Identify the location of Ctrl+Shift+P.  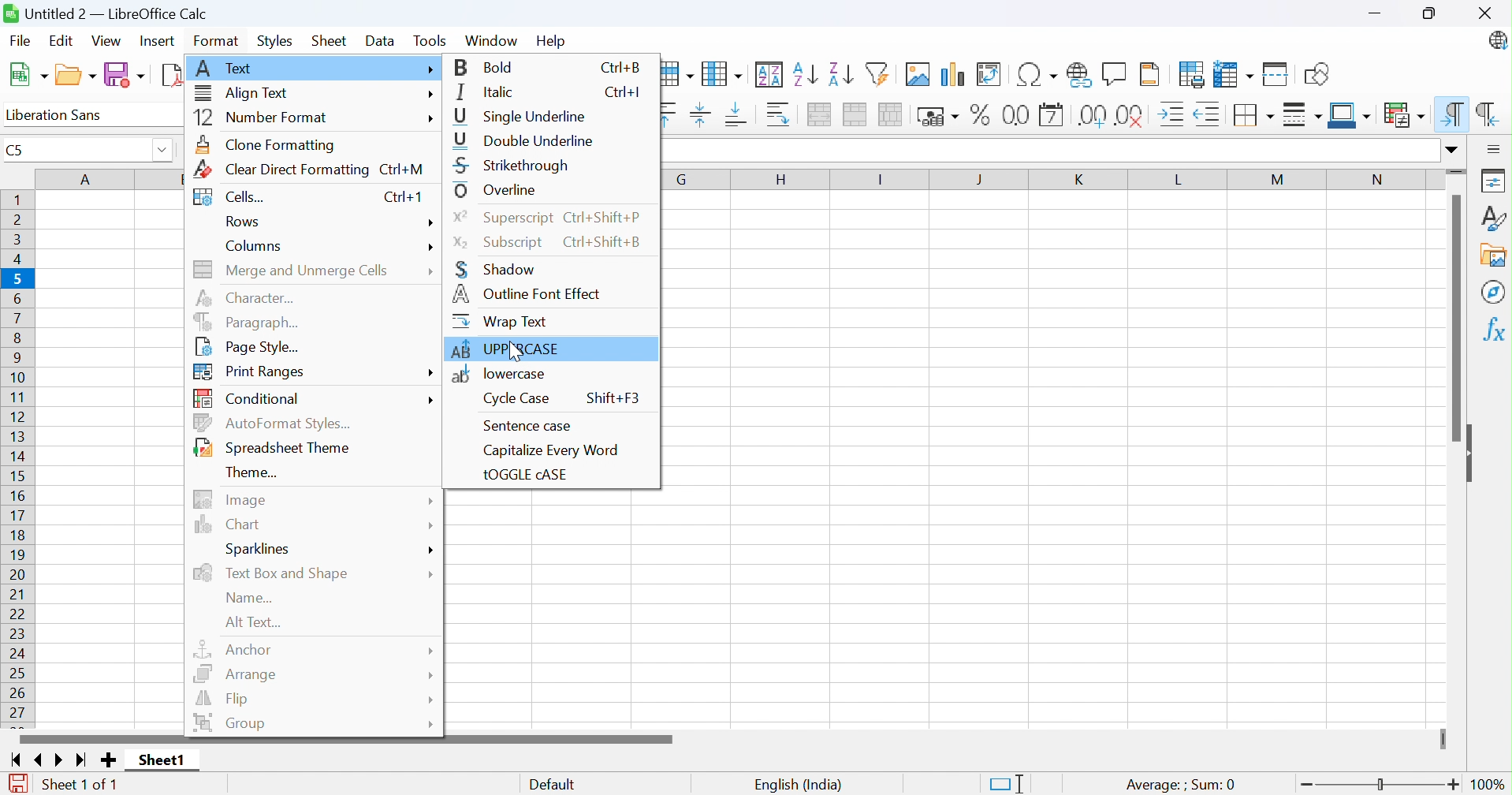
(606, 218).